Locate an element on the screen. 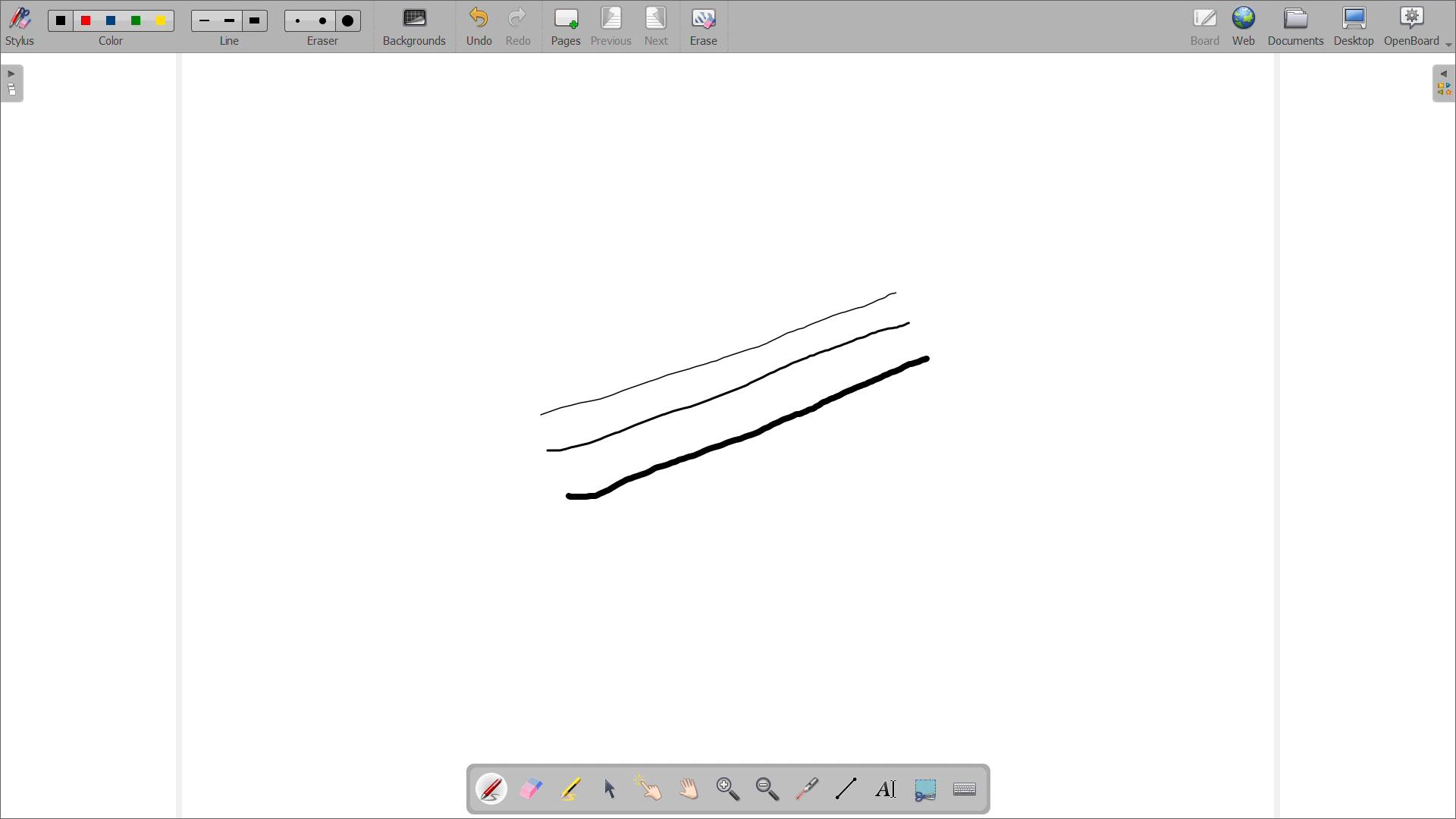  color is located at coordinates (61, 20).